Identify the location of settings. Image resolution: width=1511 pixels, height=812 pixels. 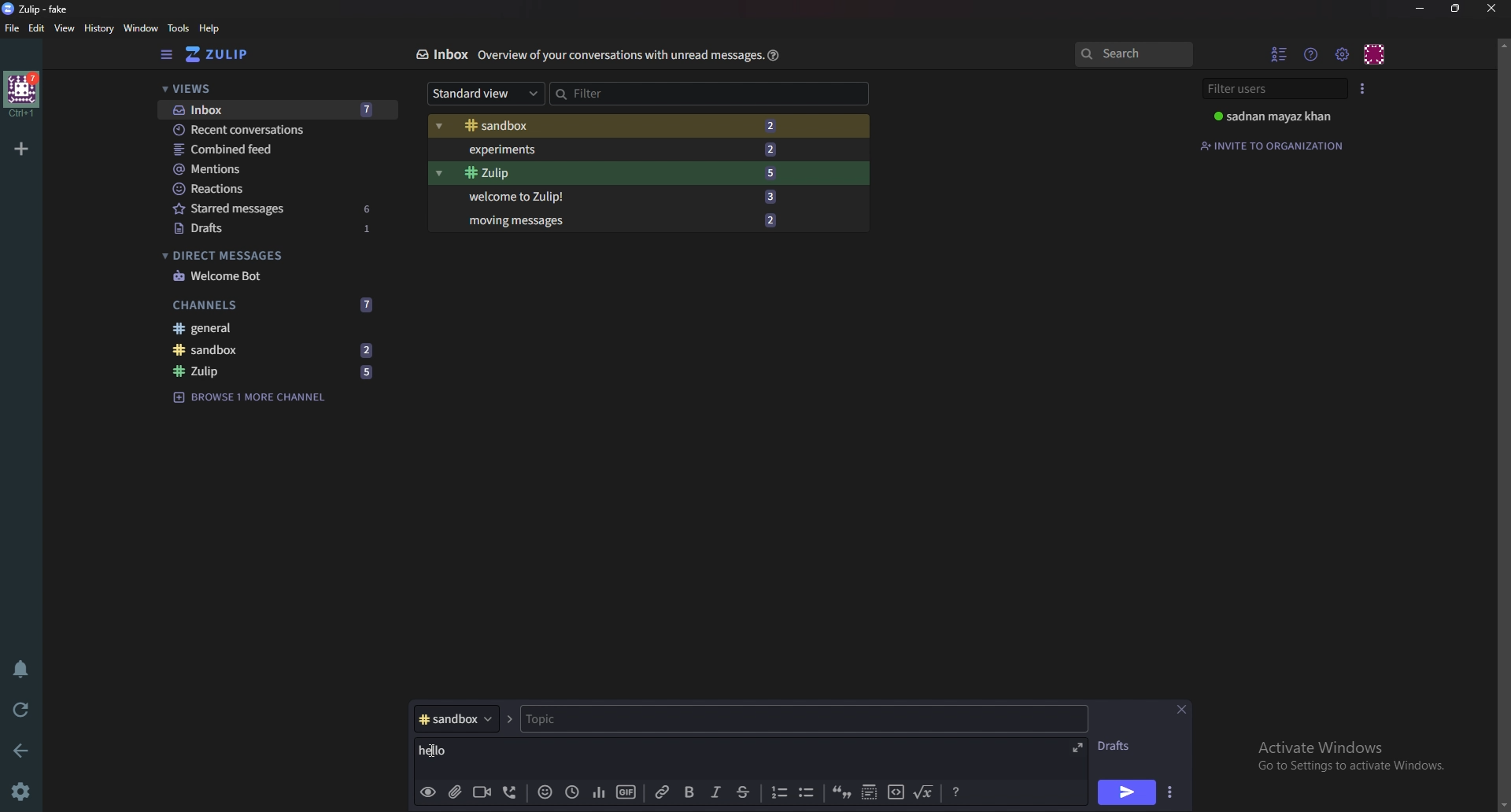
(24, 789).